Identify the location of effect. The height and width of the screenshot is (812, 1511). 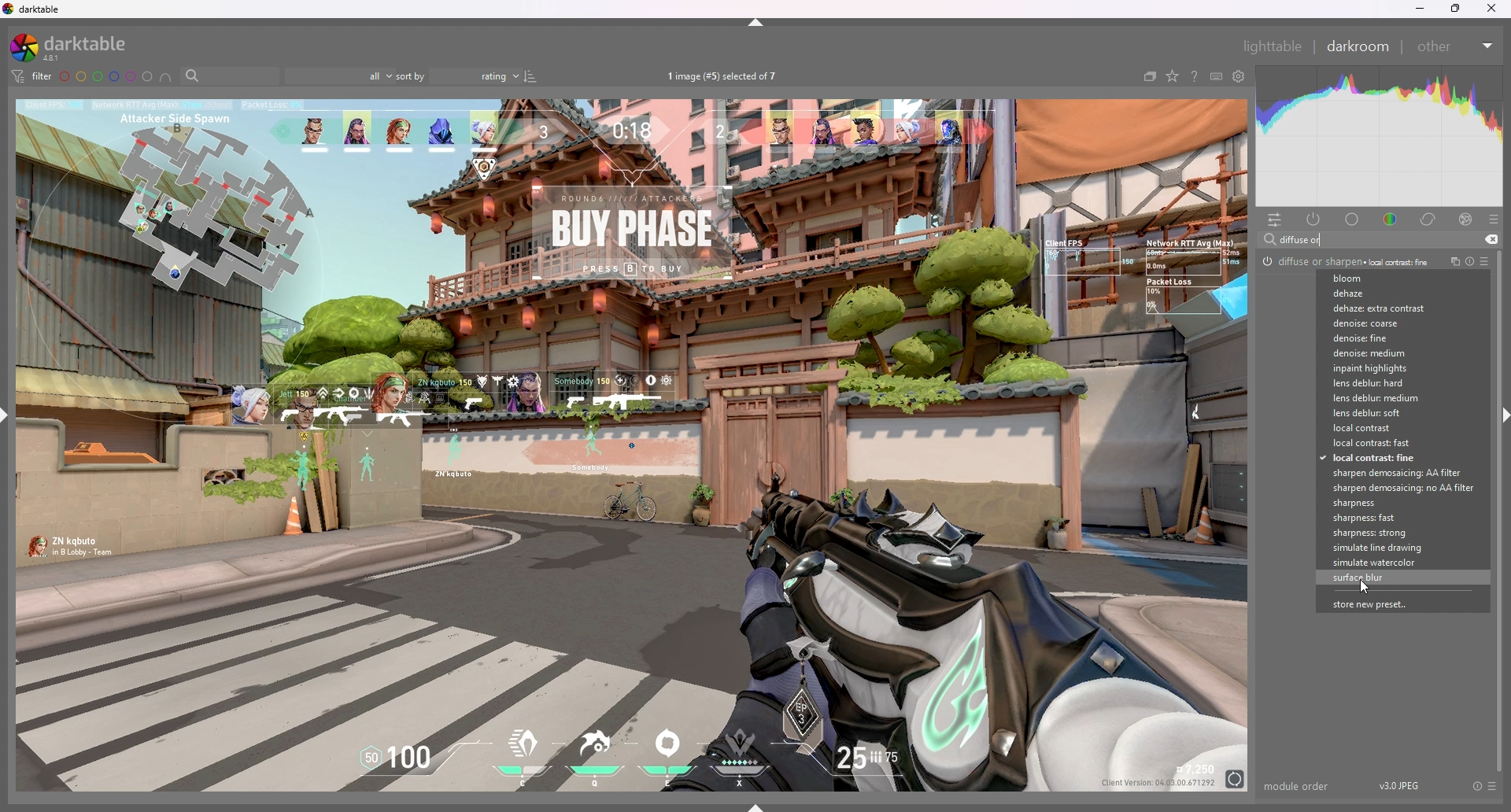
(1466, 219).